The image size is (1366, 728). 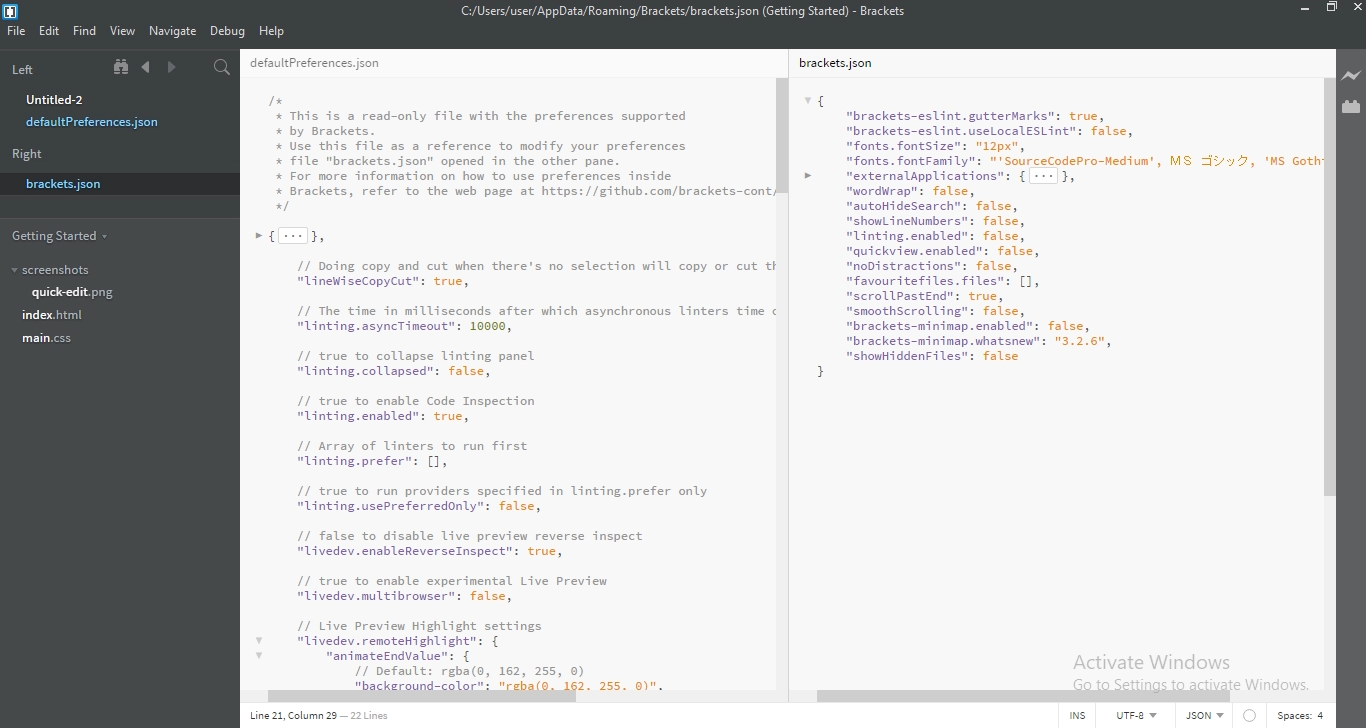 I want to click on scroll bar, so click(x=785, y=133).